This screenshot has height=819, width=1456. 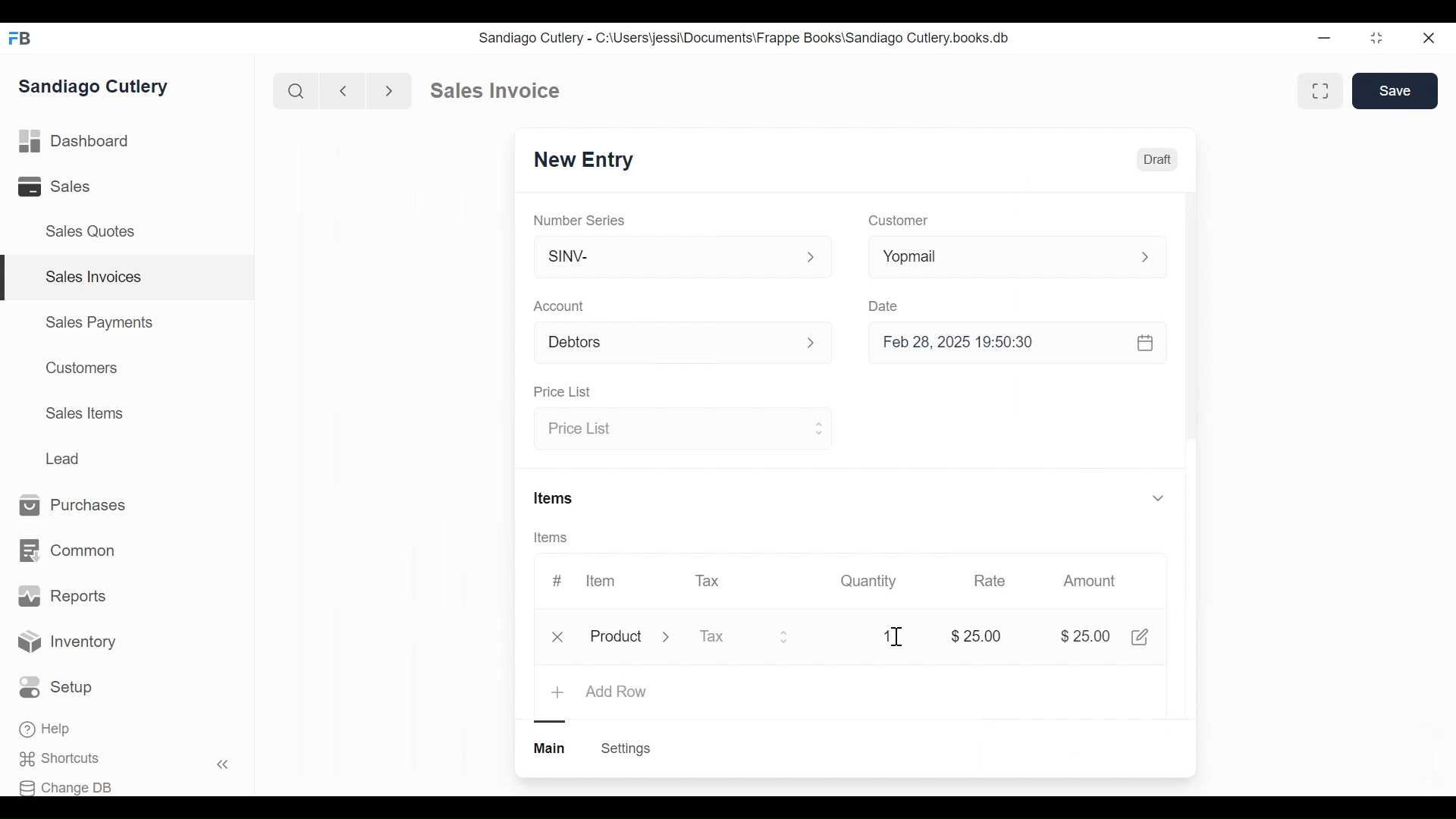 I want to click on Date, so click(x=886, y=306).